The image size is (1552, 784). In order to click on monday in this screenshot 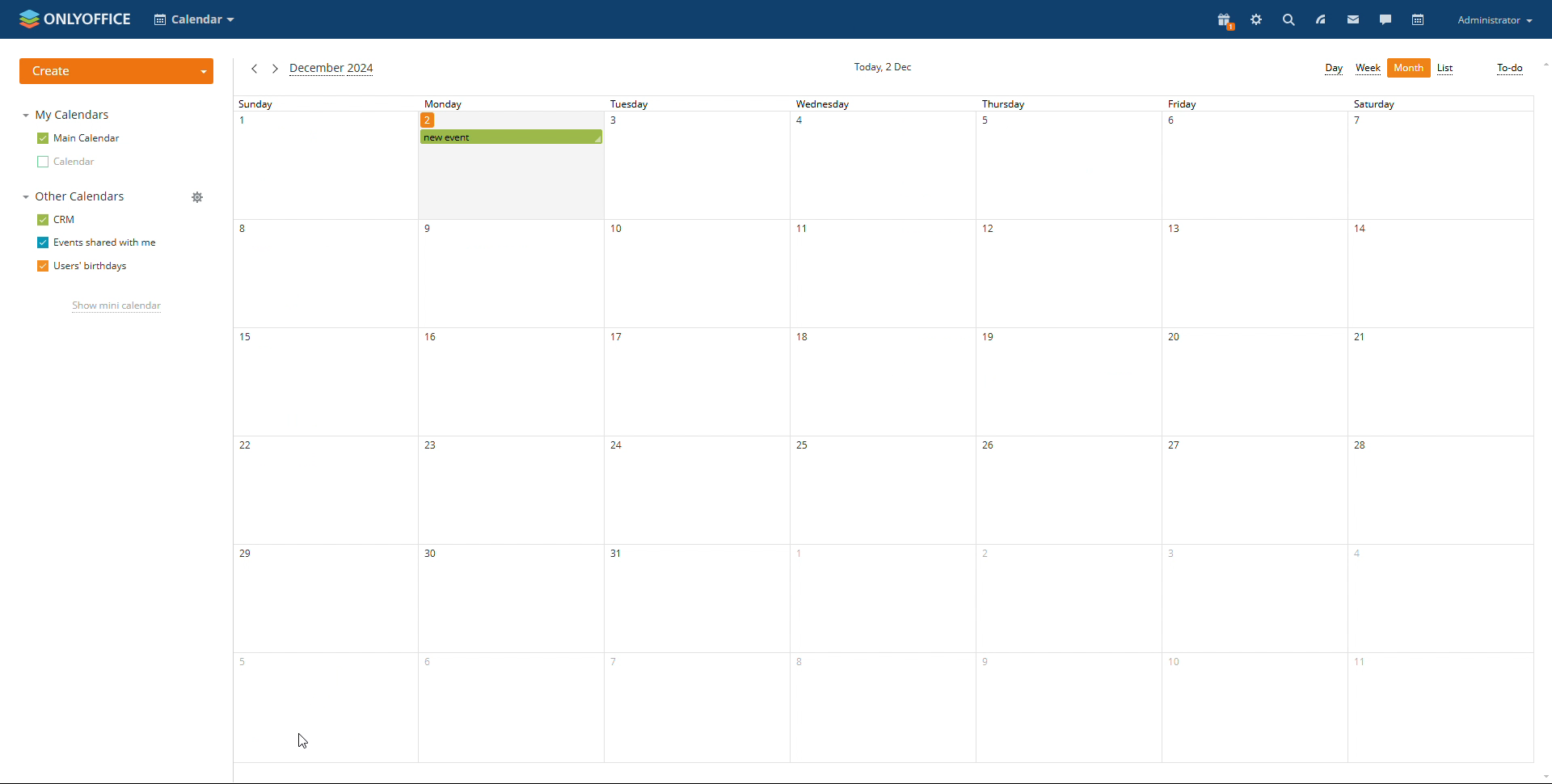, I will do `click(1060, 429)`.